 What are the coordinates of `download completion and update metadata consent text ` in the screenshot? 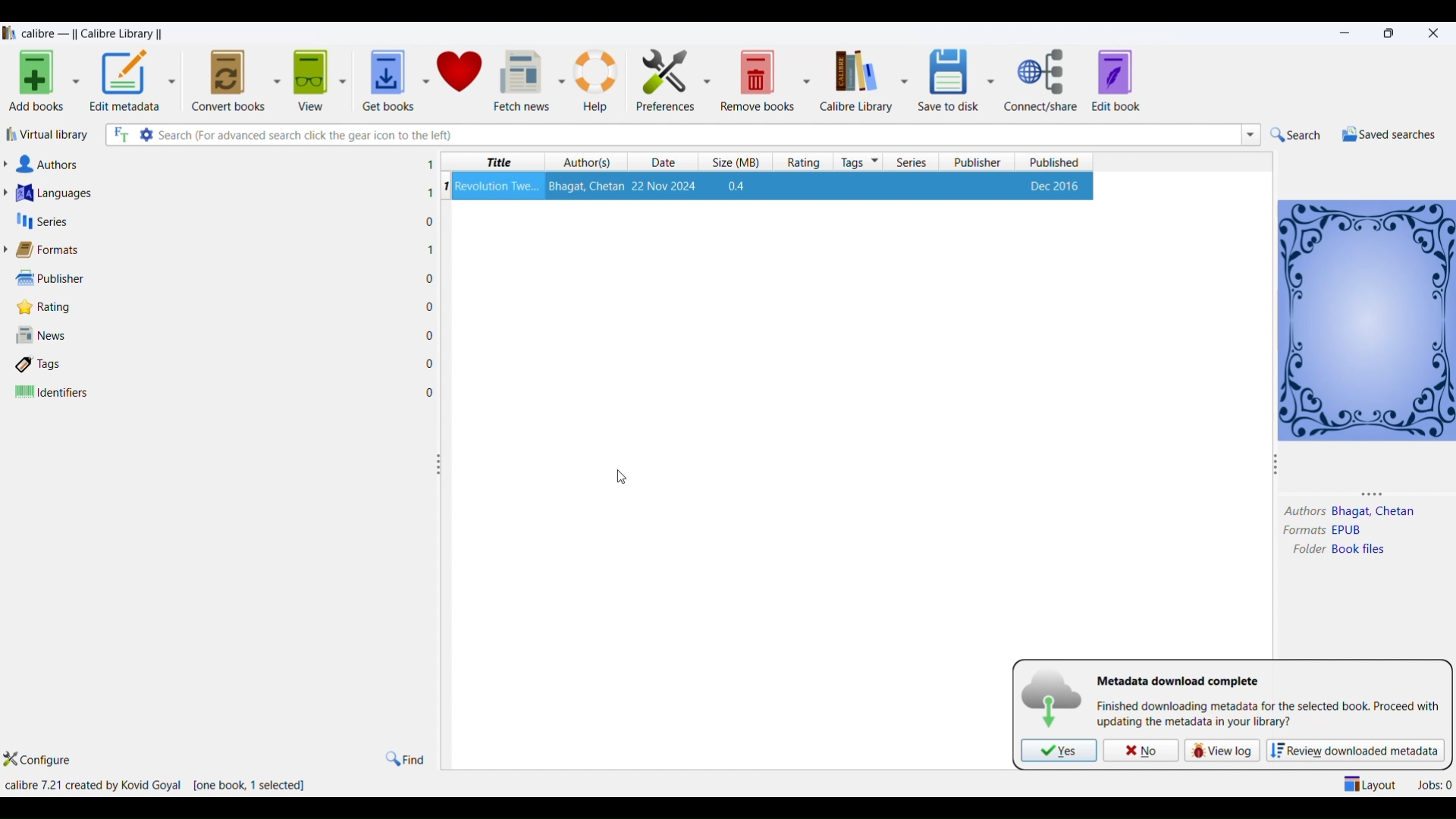 It's located at (1266, 715).